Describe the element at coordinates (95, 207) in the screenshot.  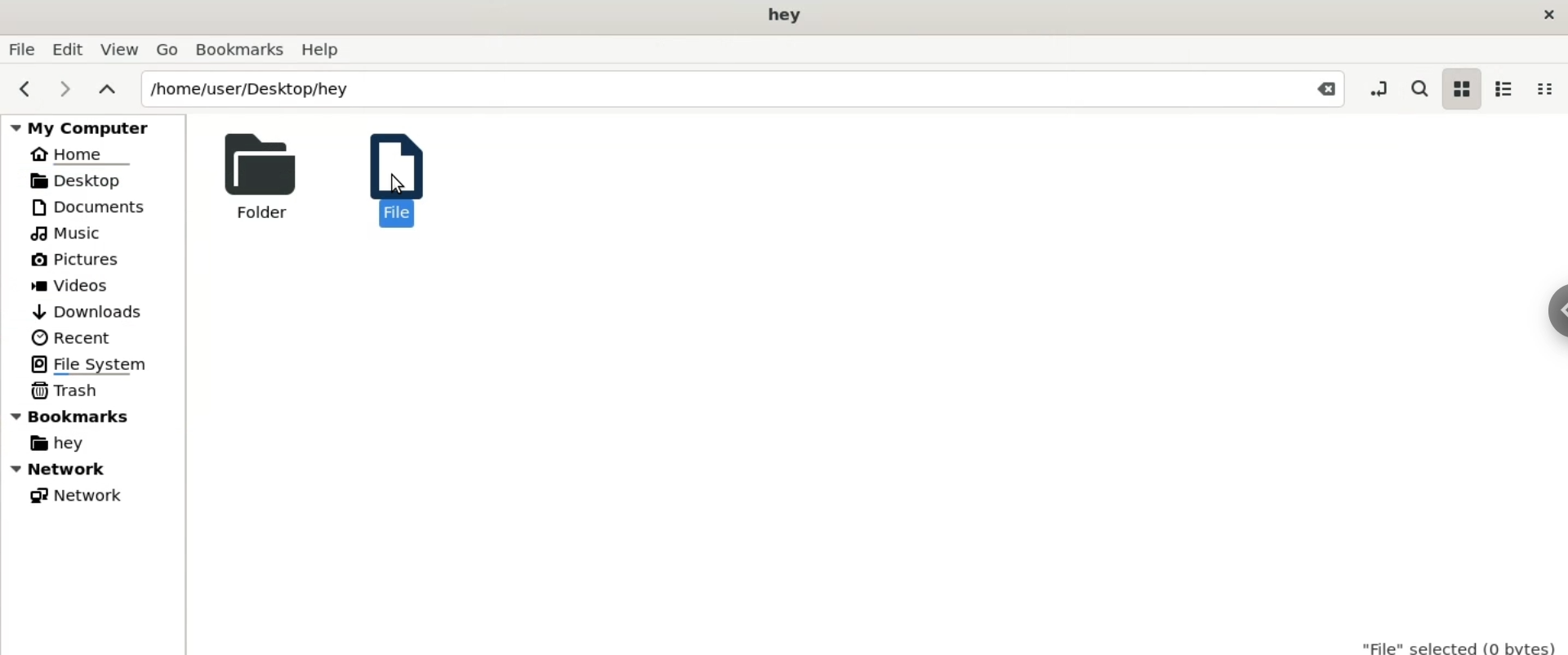
I see `documents` at that location.